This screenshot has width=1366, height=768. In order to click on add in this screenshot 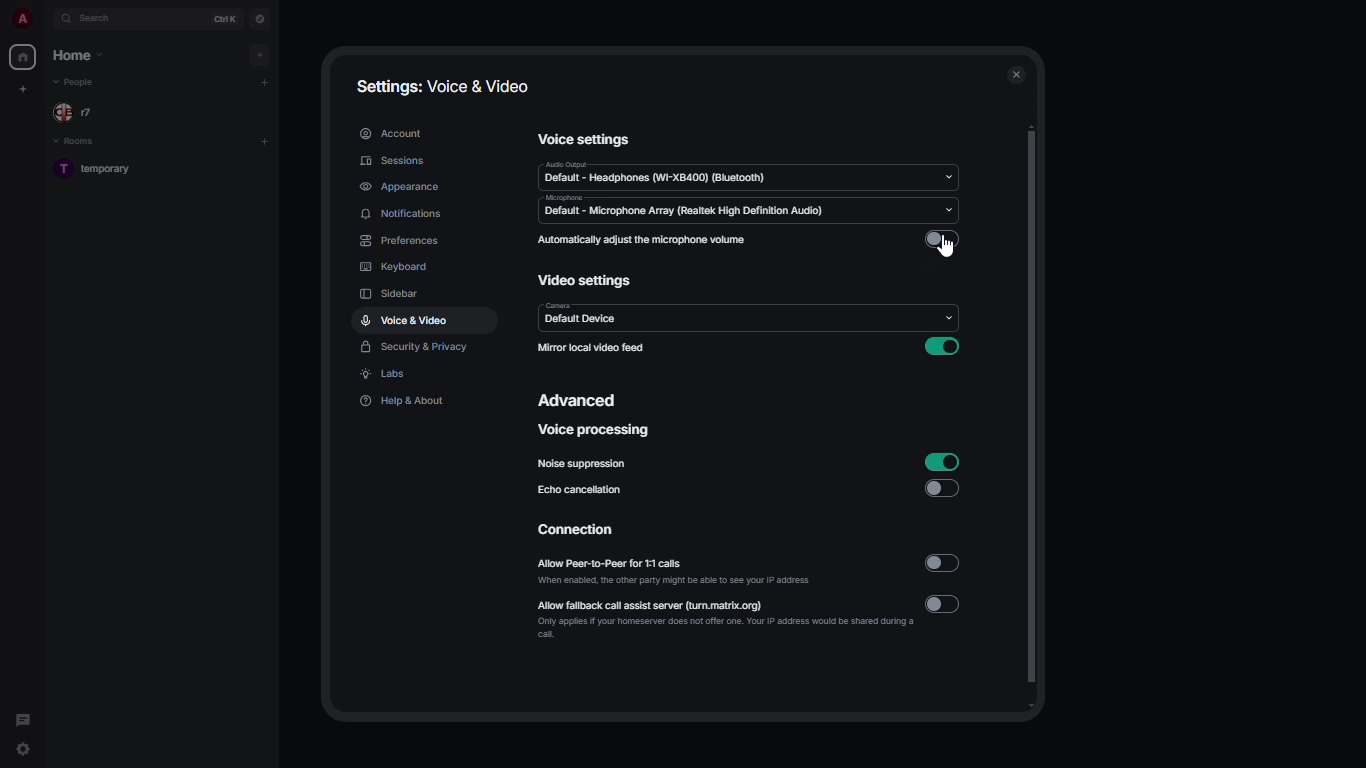, I will do `click(262, 55)`.